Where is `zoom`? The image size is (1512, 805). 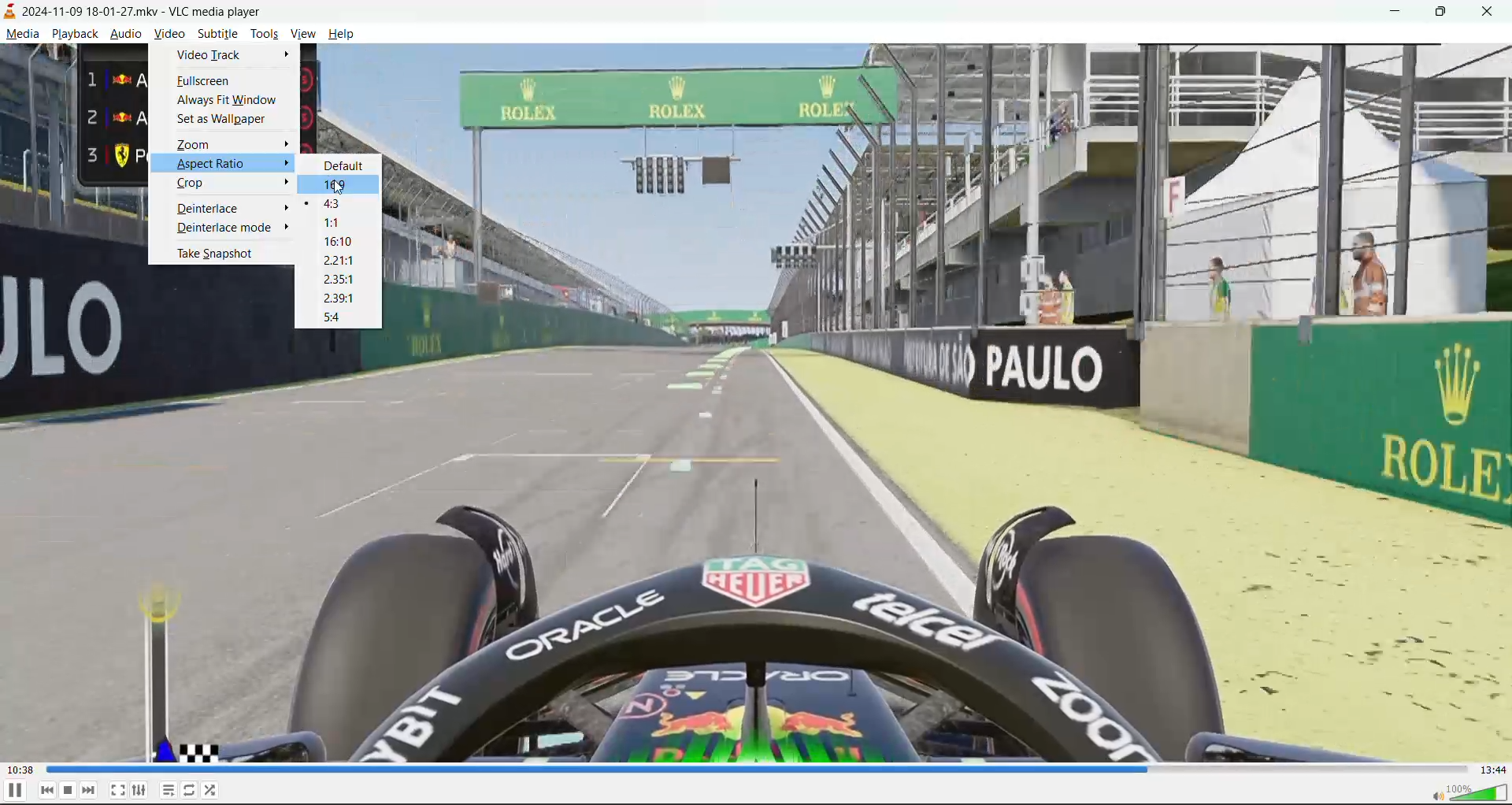
zoom is located at coordinates (231, 146).